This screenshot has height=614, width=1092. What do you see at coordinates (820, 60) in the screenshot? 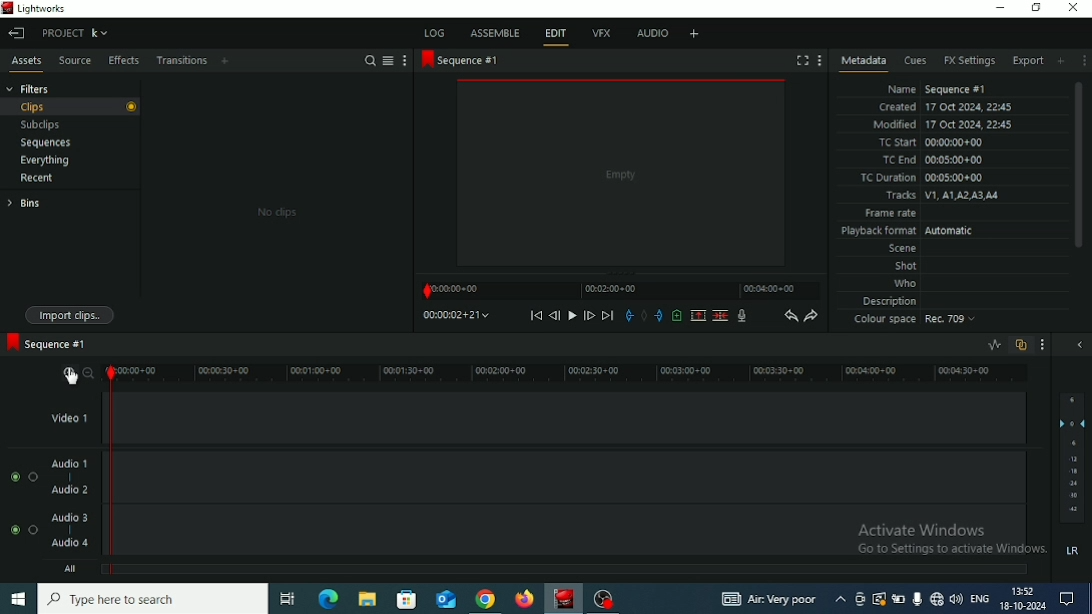
I see `Show settings menu` at bounding box center [820, 60].